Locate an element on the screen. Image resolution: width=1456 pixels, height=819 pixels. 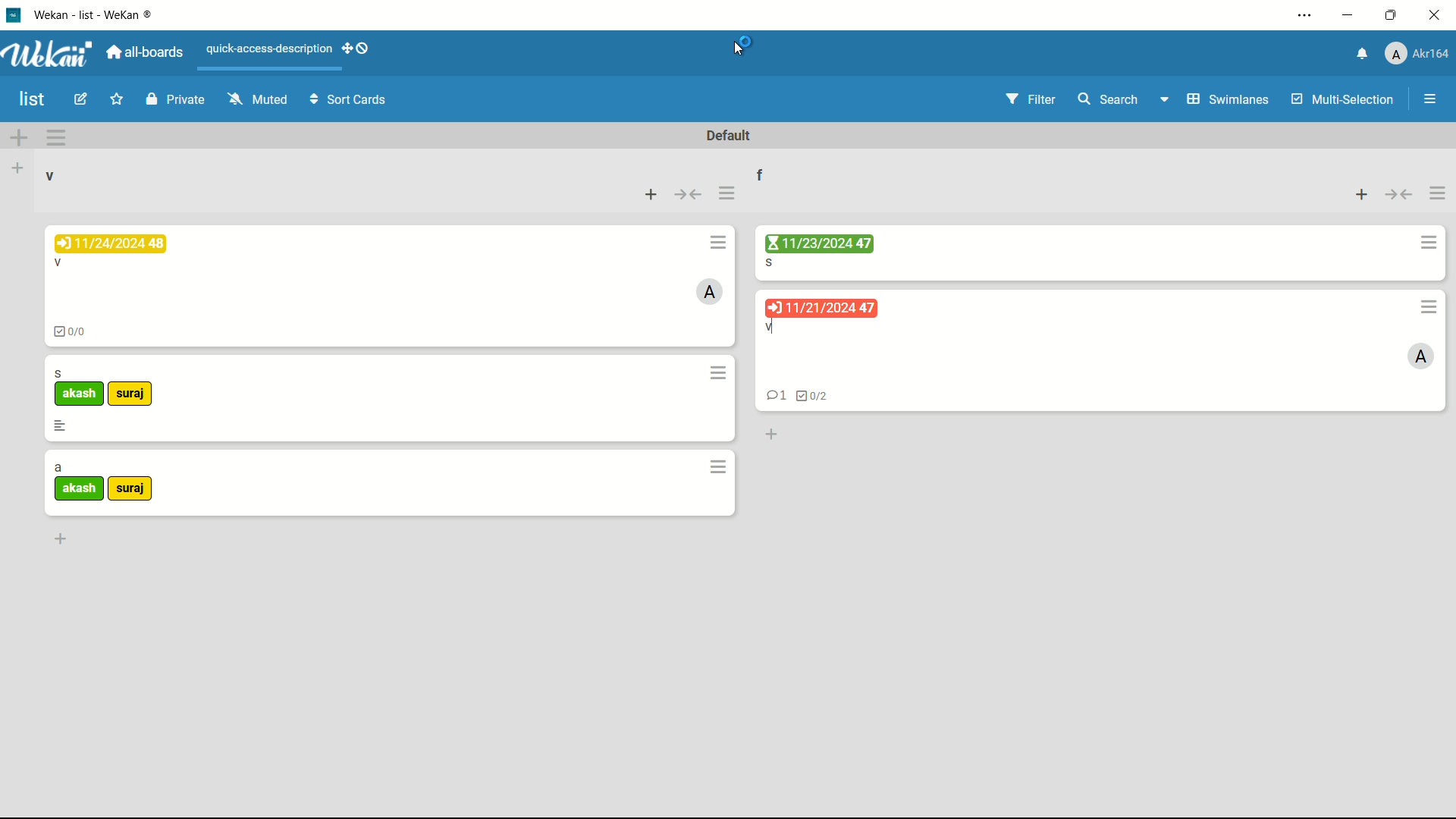
card actions is located at coordinates (1427, 244).